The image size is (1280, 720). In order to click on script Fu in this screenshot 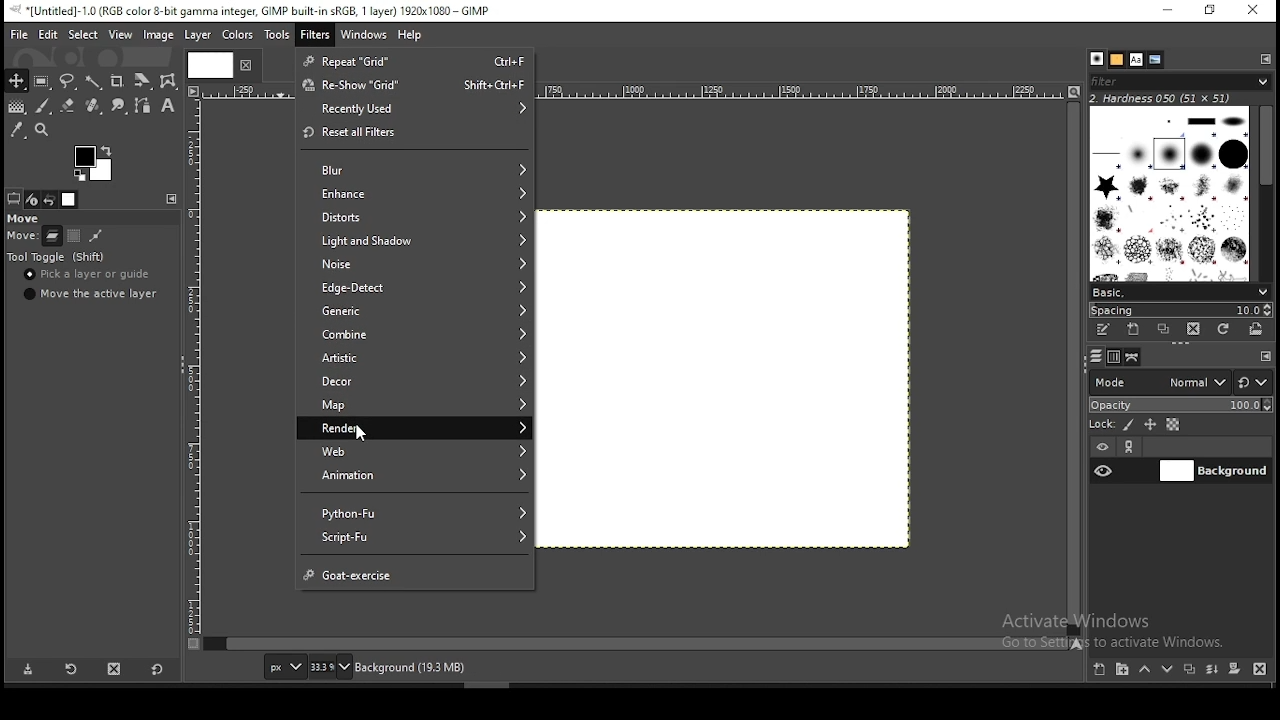, I will do `click(414, 539)`.